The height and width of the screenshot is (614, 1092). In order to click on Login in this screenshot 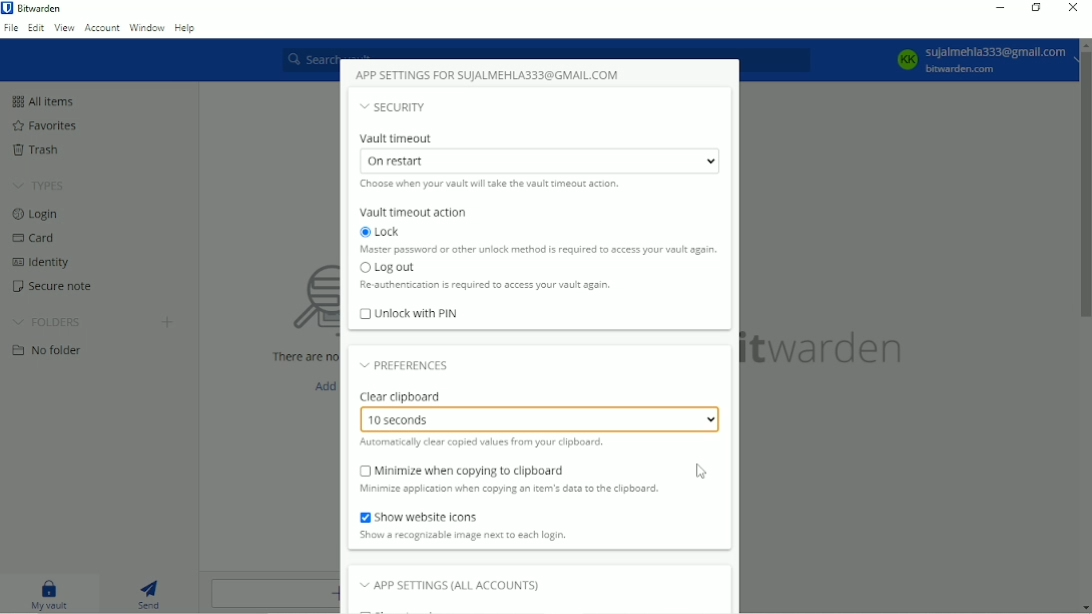, I will do `click(40, 215)`.